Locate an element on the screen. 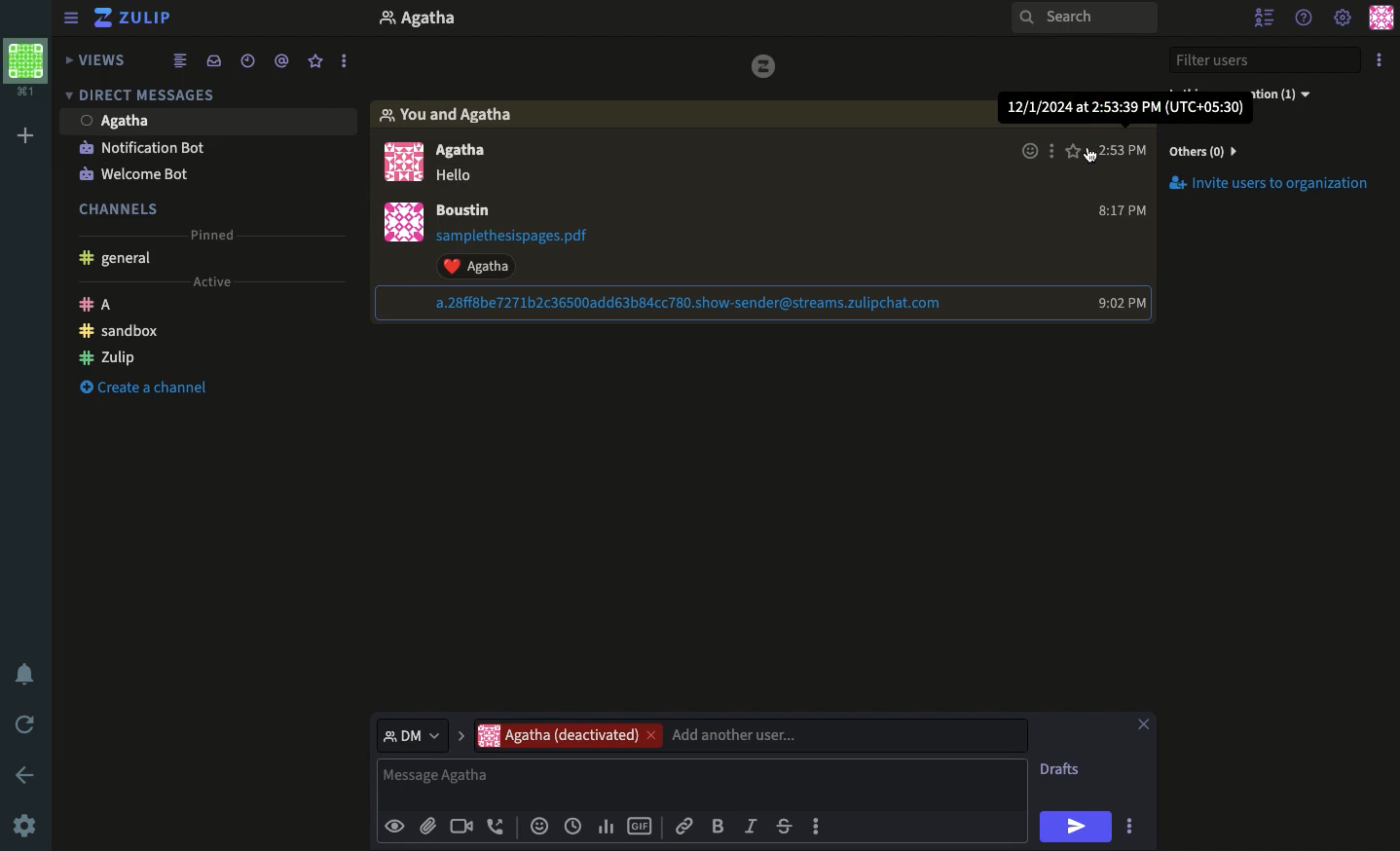 Image resolution: width=1400 pixels, height=851 pixels. zulip logo is located at coordinates (764, 67).